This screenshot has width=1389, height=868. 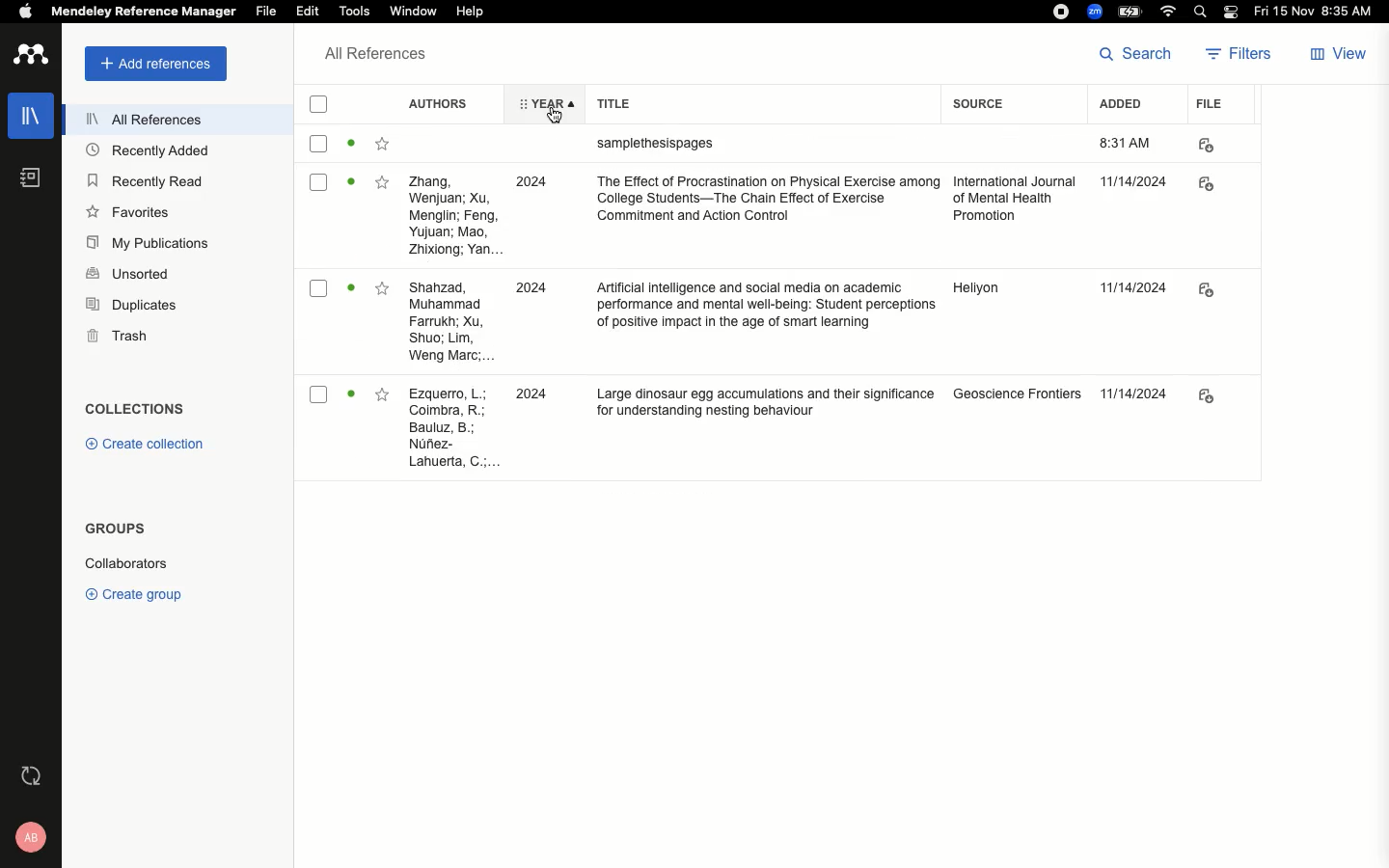 I want to click on Notebook, so click(x=23, y=176).